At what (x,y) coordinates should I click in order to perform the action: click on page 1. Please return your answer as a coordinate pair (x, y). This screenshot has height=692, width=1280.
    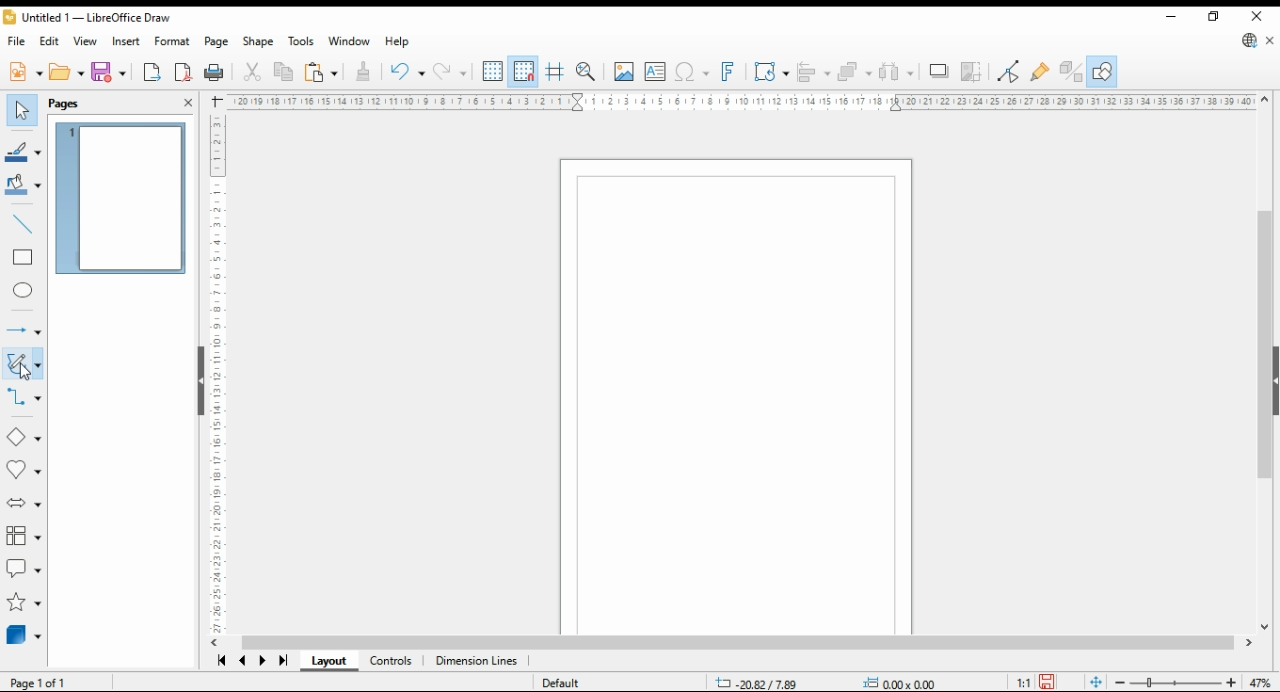
    Looking at the image, I should click on (122, 198).